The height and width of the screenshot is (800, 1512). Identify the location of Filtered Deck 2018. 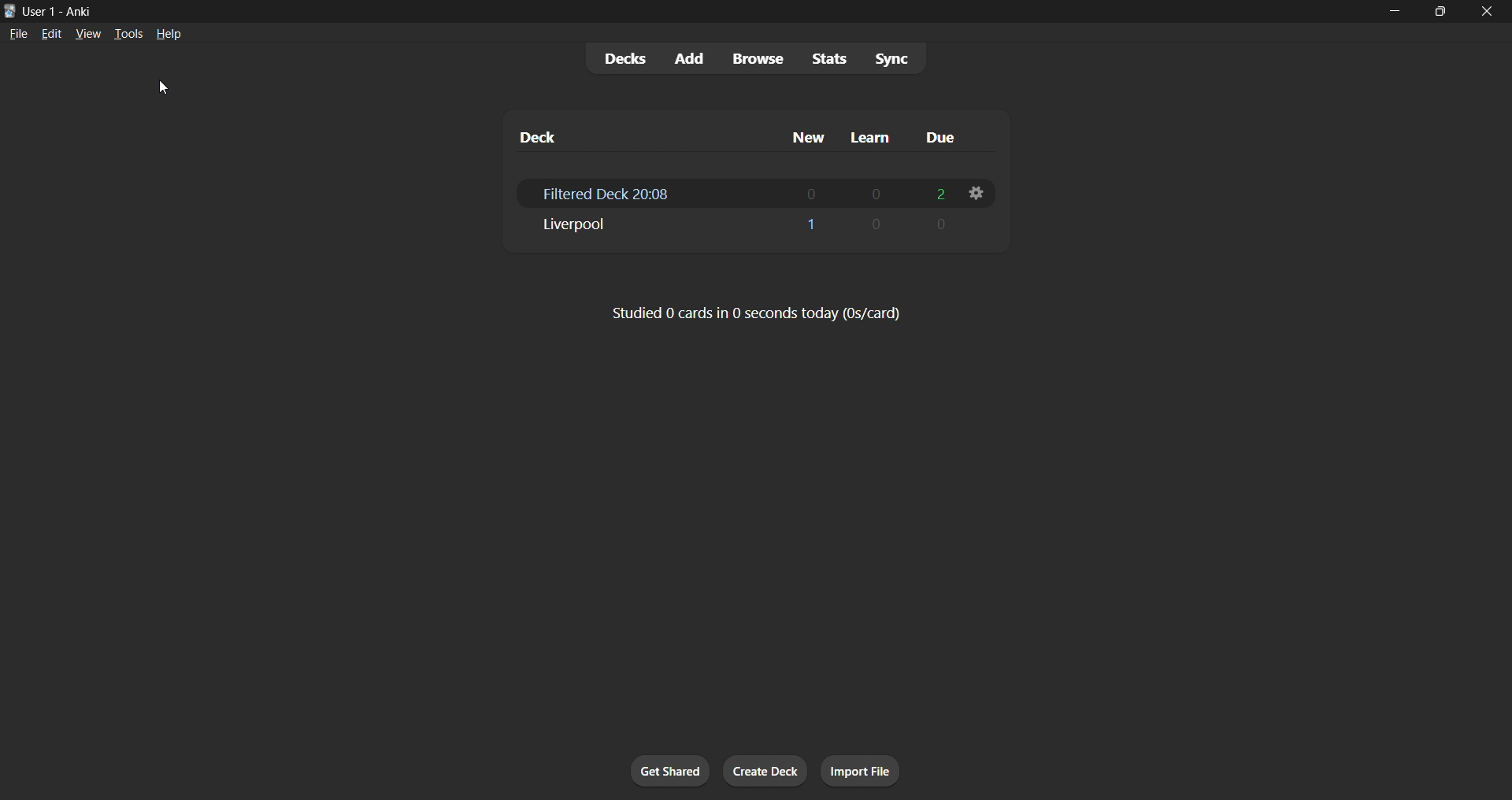
(644, 194).